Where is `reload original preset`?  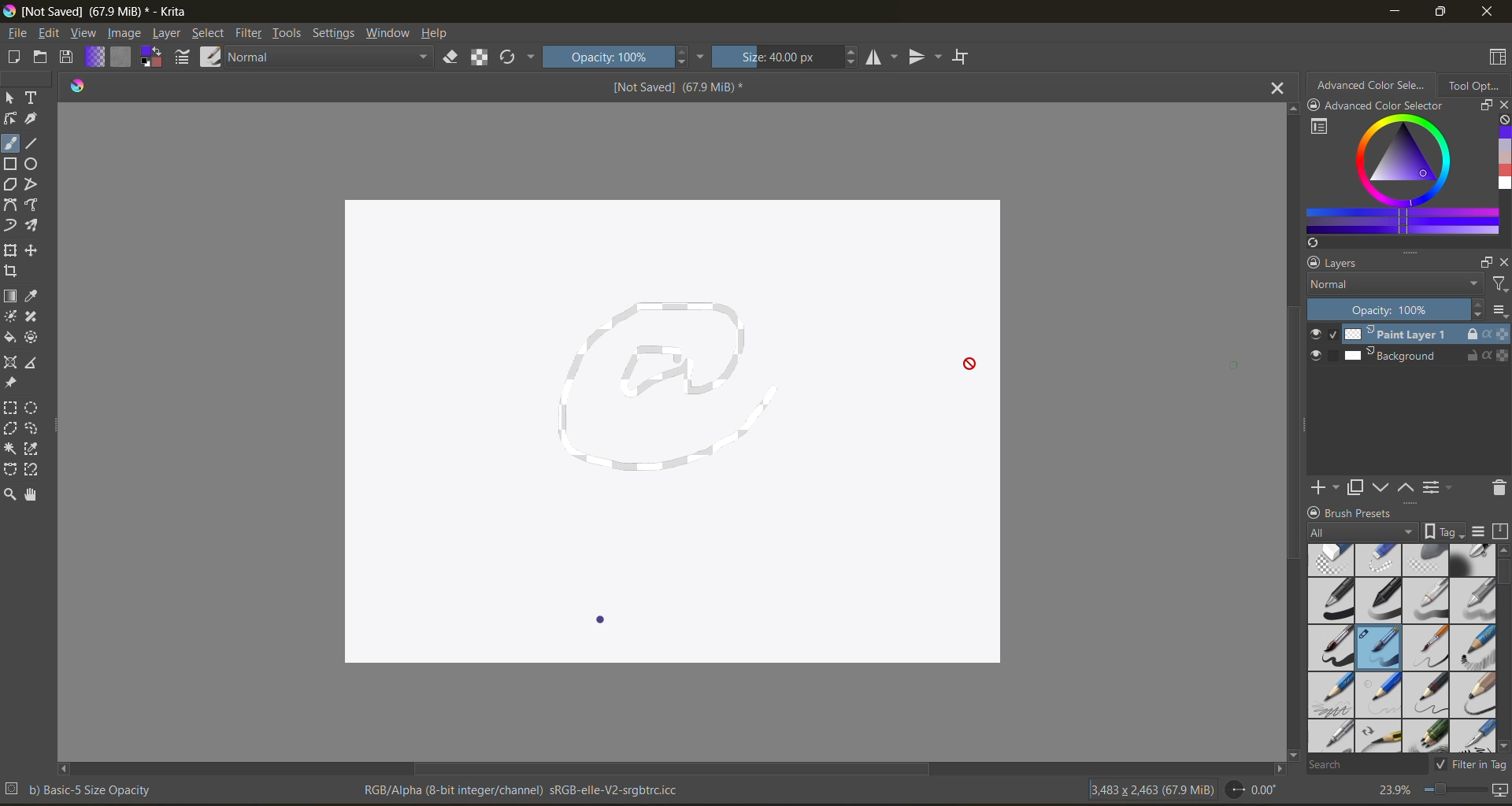
reload original preset is located at coordinates (510, 57).